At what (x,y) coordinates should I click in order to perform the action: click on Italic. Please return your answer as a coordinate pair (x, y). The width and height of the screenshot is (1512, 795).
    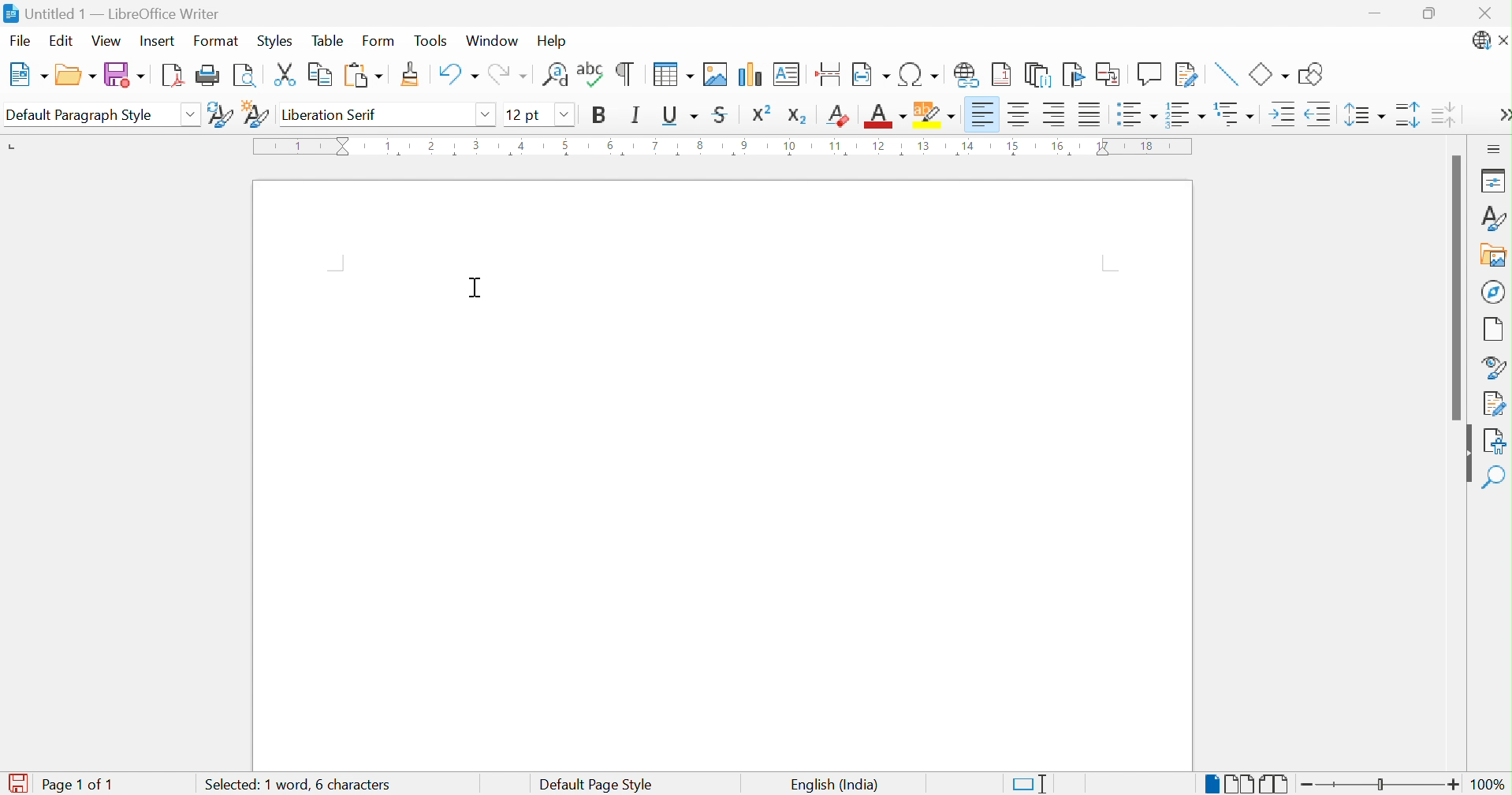
    Looking at the image, I should click on (635, 114).